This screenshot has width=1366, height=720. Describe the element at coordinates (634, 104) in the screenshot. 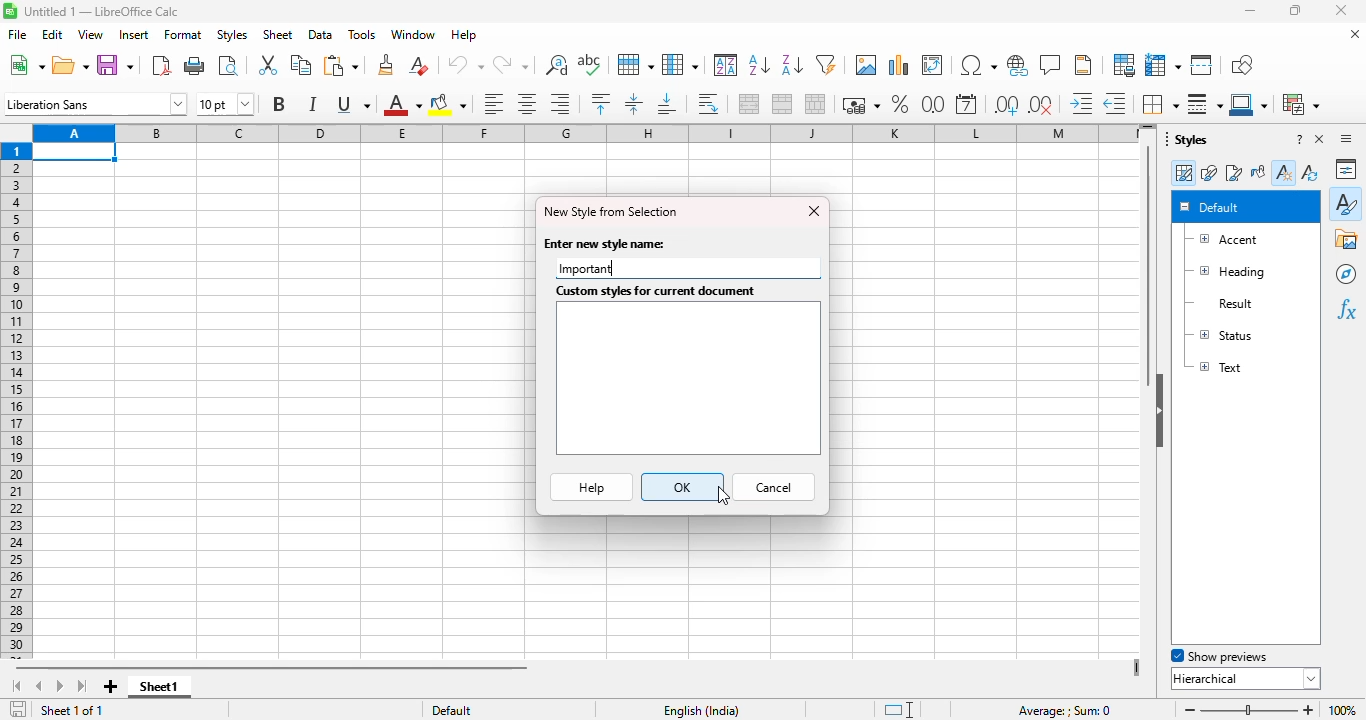

I see `center vertically` at that location.